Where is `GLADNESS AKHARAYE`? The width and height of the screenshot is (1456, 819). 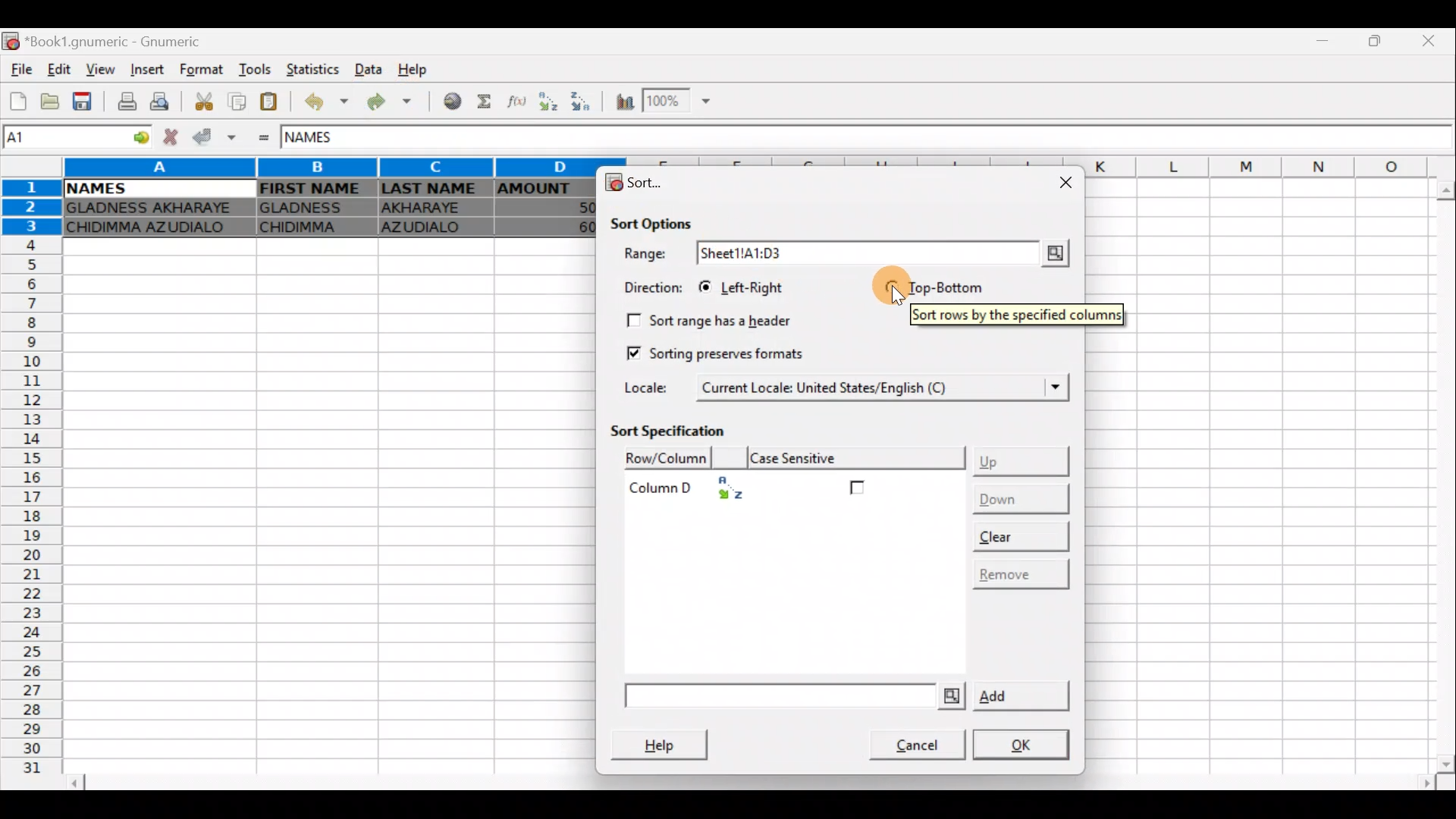 GLADNESS AKHARAYE is located at coordinates (154, 209).